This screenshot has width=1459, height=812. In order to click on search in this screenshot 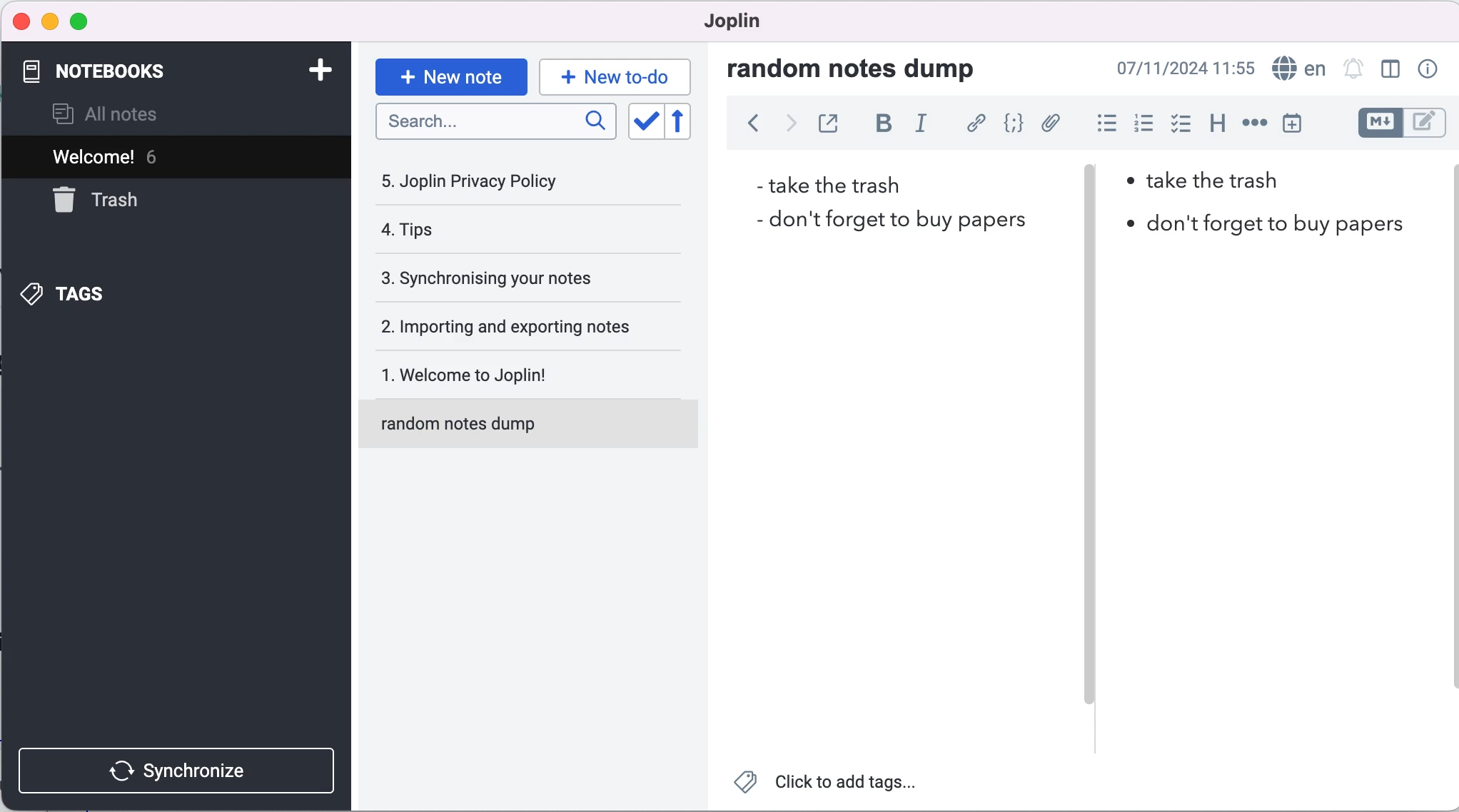, I will do `click(497, 126)`.